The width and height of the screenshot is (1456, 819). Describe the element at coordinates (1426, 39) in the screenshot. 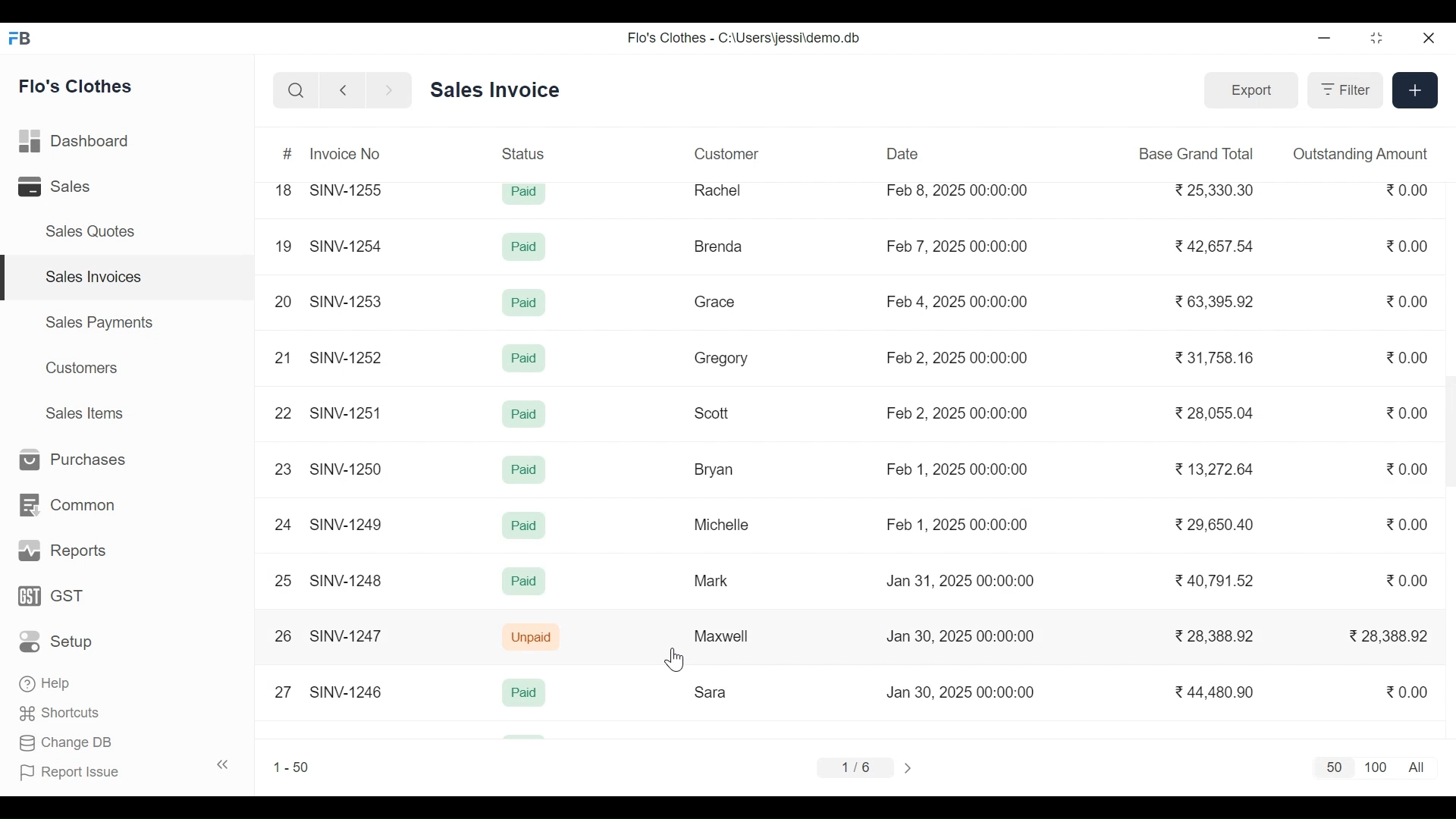

I see `Close` at that location.